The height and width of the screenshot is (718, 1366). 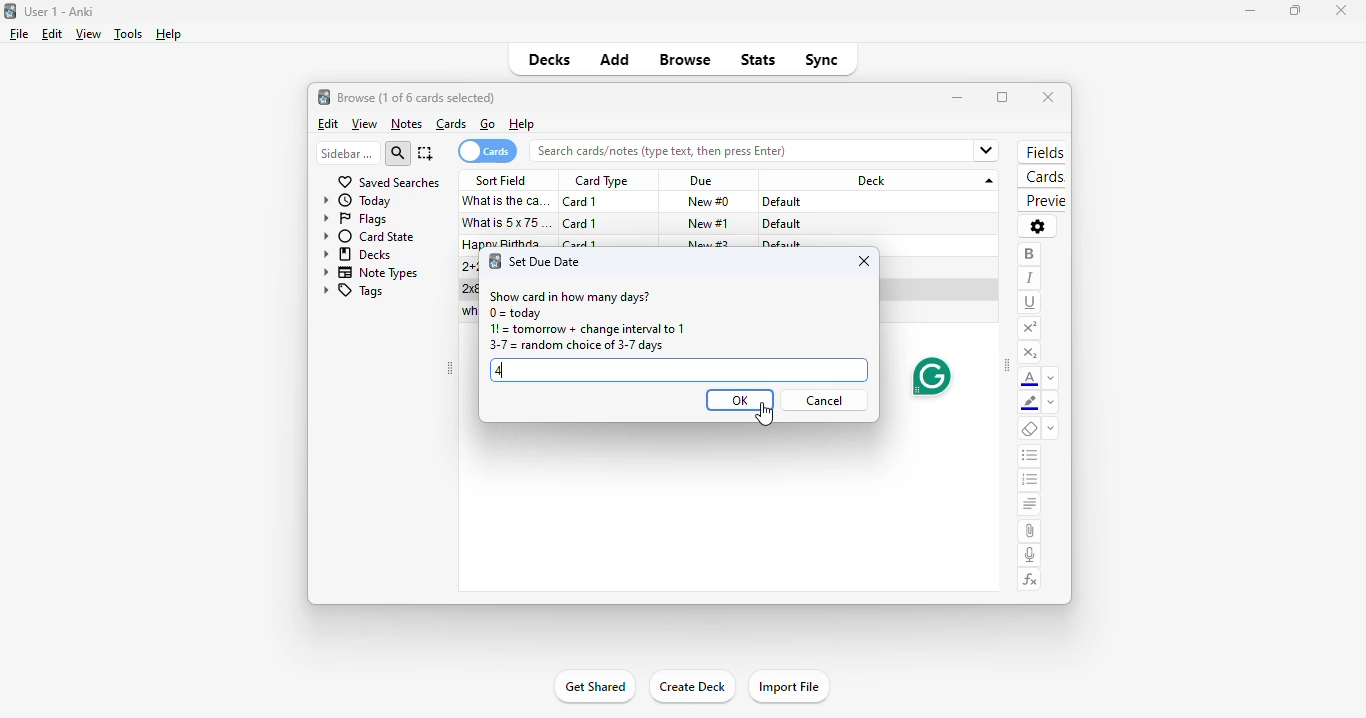 What do you see at coordinates (1340, 9) in the screenshot?
I see `close` at bounding box center [1340, 9].